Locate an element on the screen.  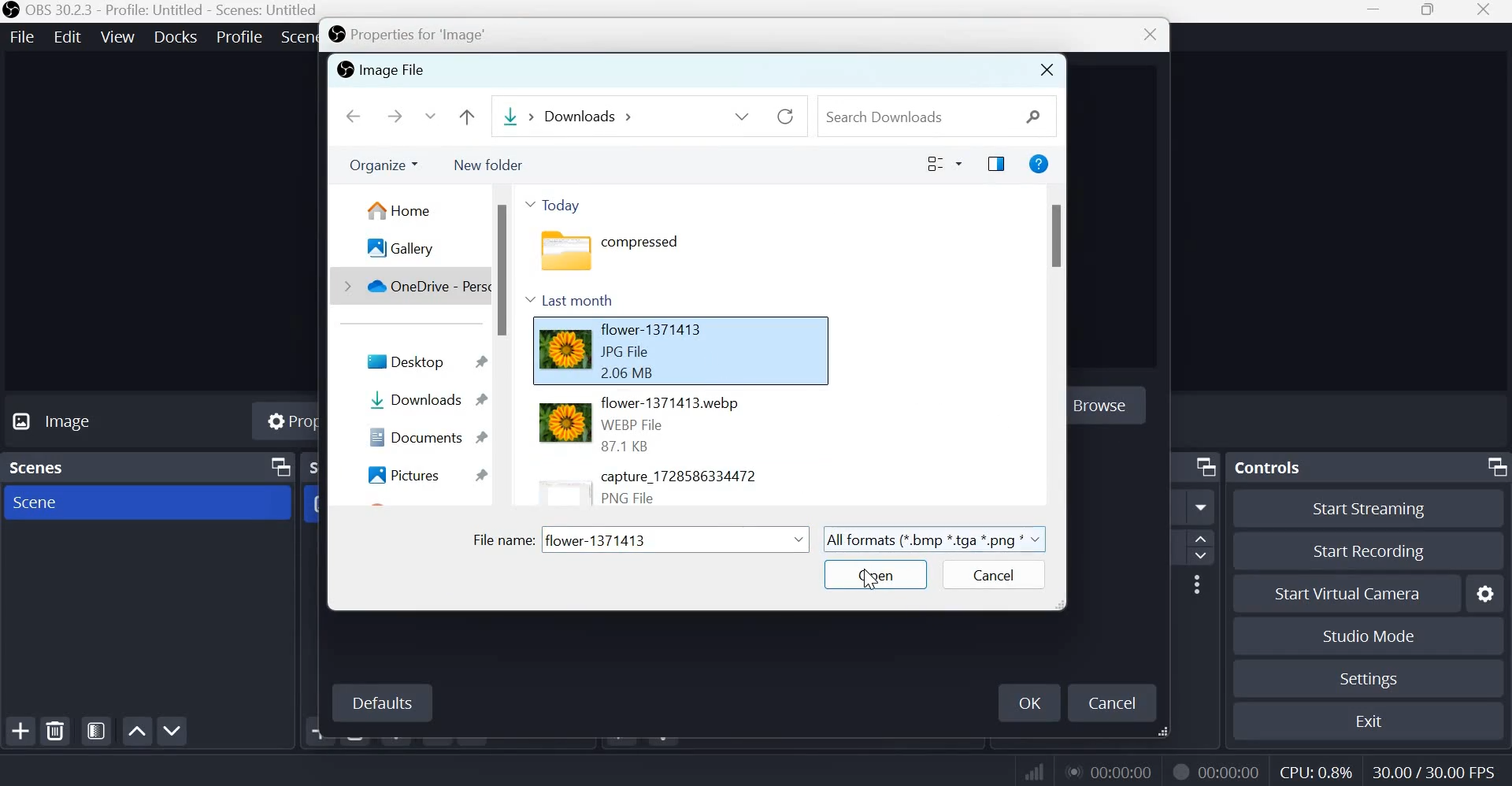
Move scene down is located at coordinates (172, 731).